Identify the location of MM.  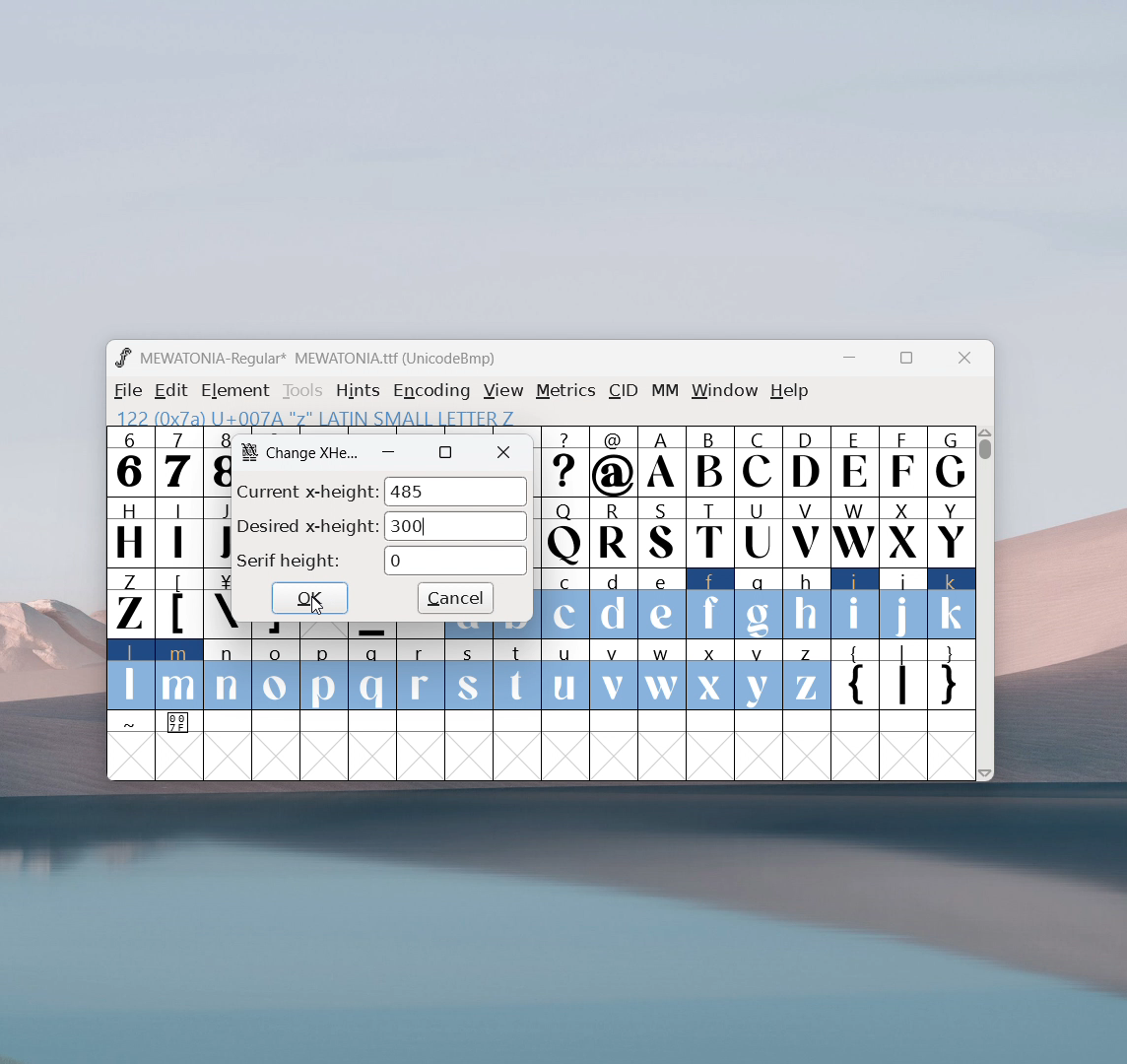
(666, 392).